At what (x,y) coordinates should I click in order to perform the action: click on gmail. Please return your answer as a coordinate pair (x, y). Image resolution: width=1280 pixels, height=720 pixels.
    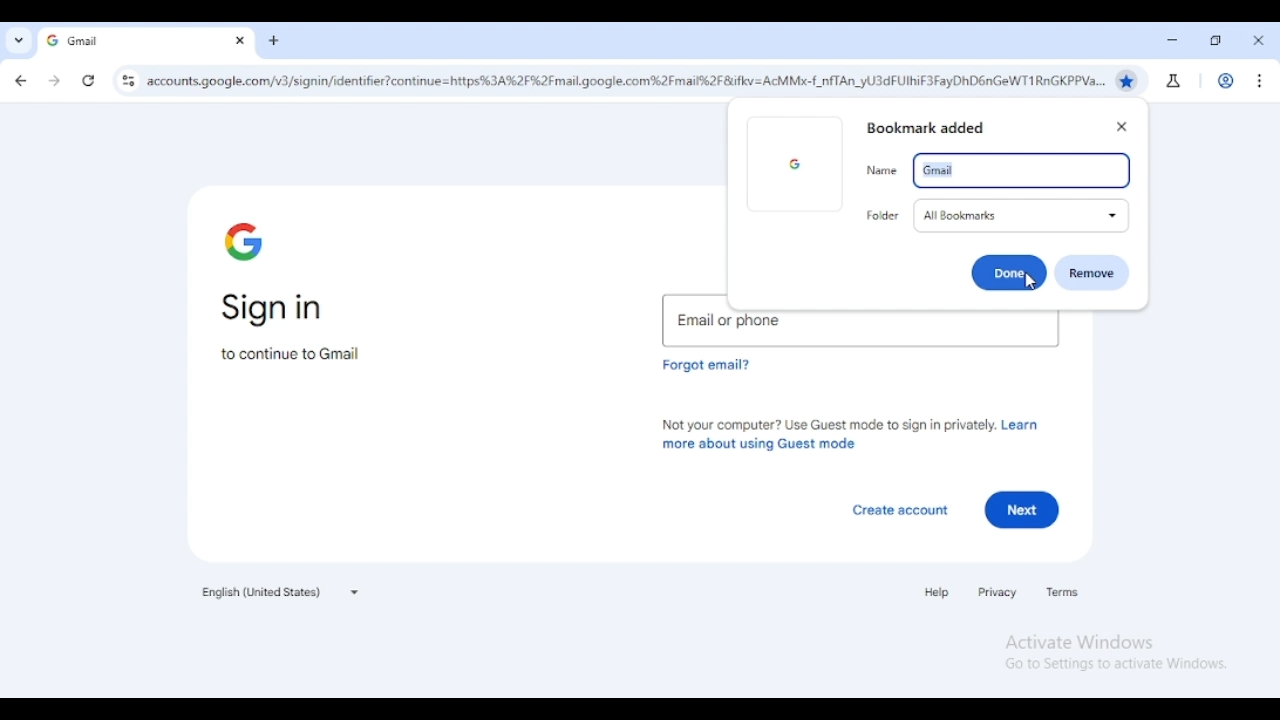
    Looking at the image, I should click on (126, 41).